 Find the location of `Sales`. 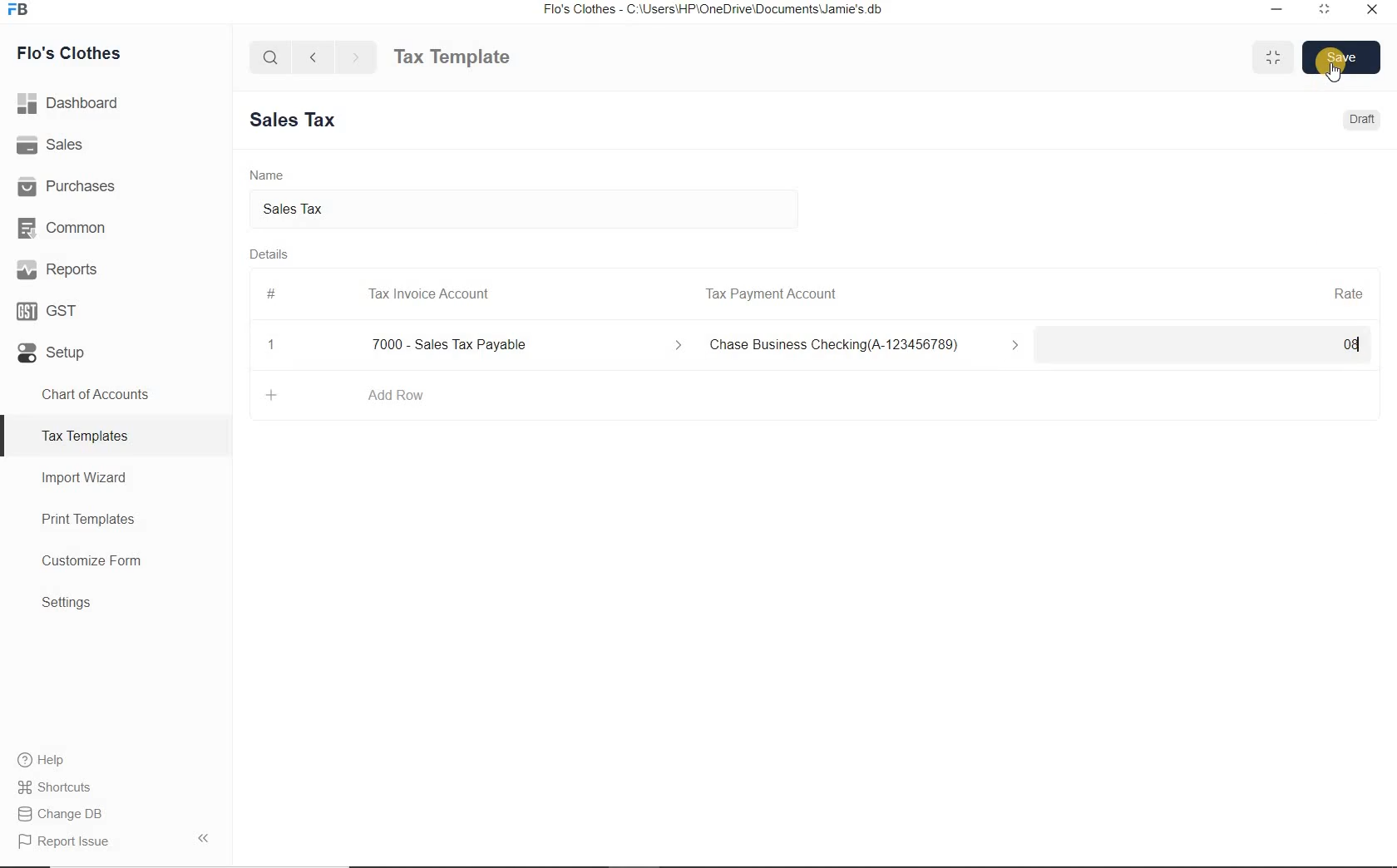

Sales is located at coordinates (116, 144).